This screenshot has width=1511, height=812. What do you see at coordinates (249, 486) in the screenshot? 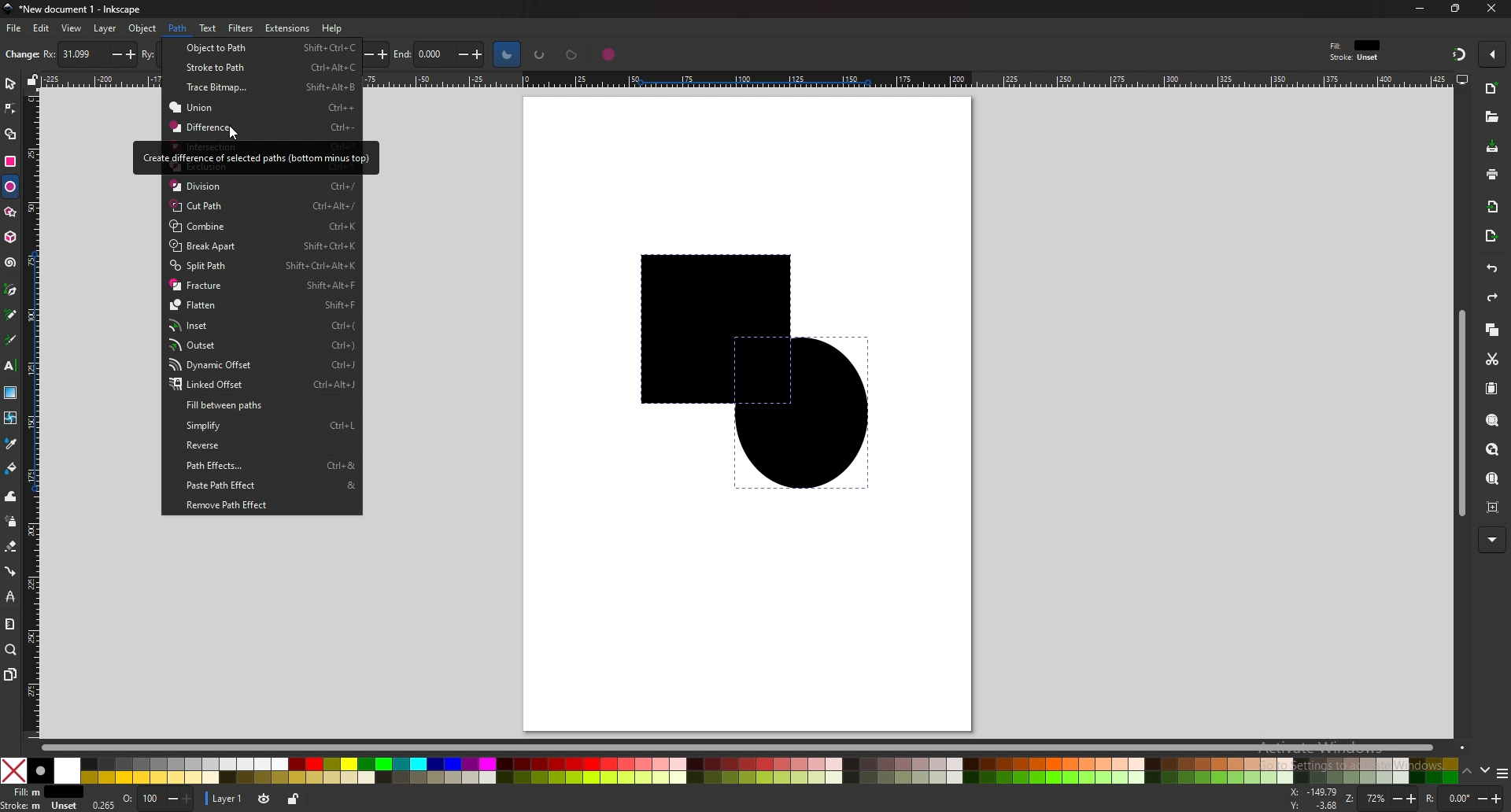
I see `paste path effect` at bounding box center [249, 486].